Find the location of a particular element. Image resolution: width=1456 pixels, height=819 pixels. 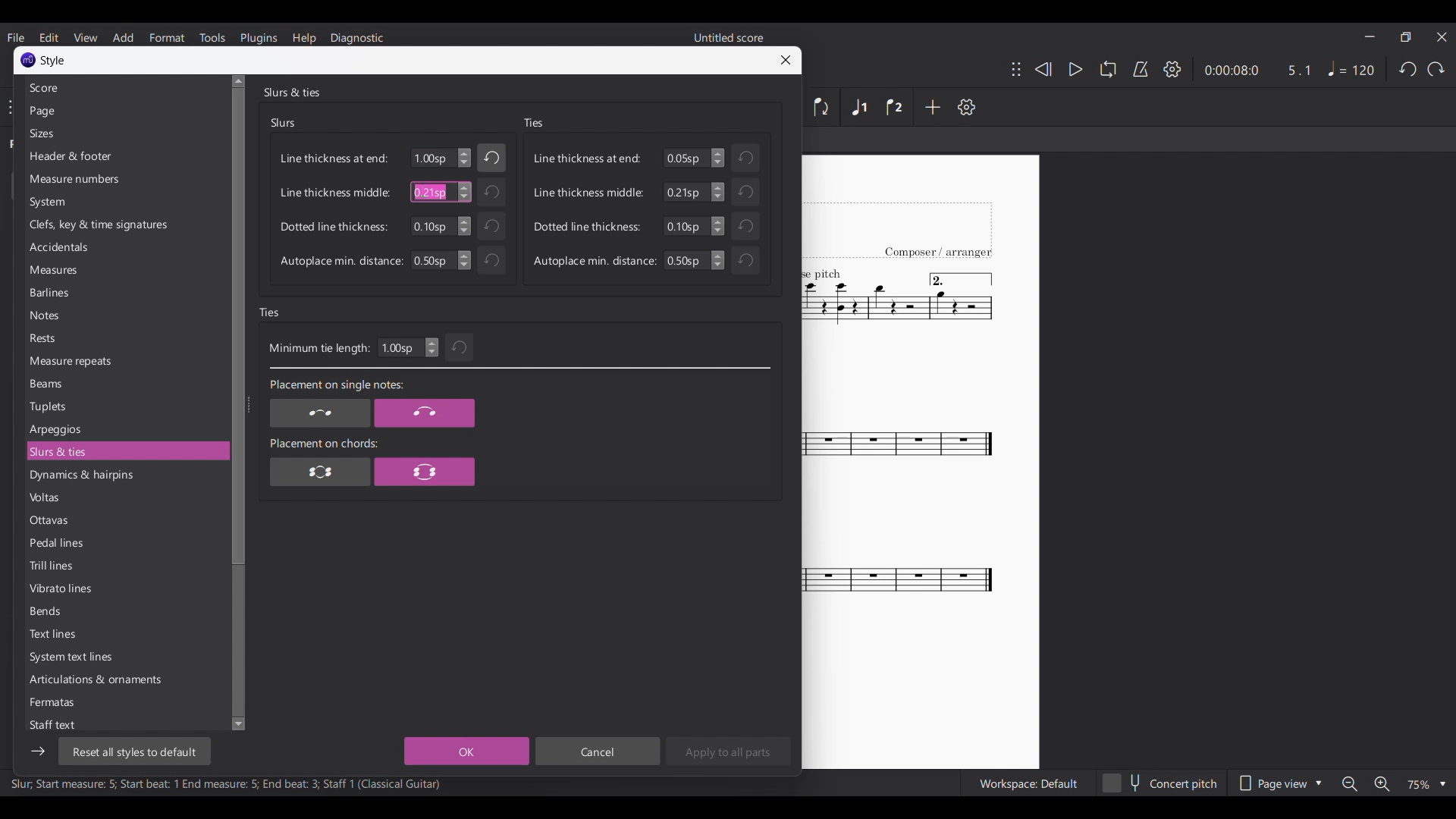

Notes is located at coordinates (125, 315).